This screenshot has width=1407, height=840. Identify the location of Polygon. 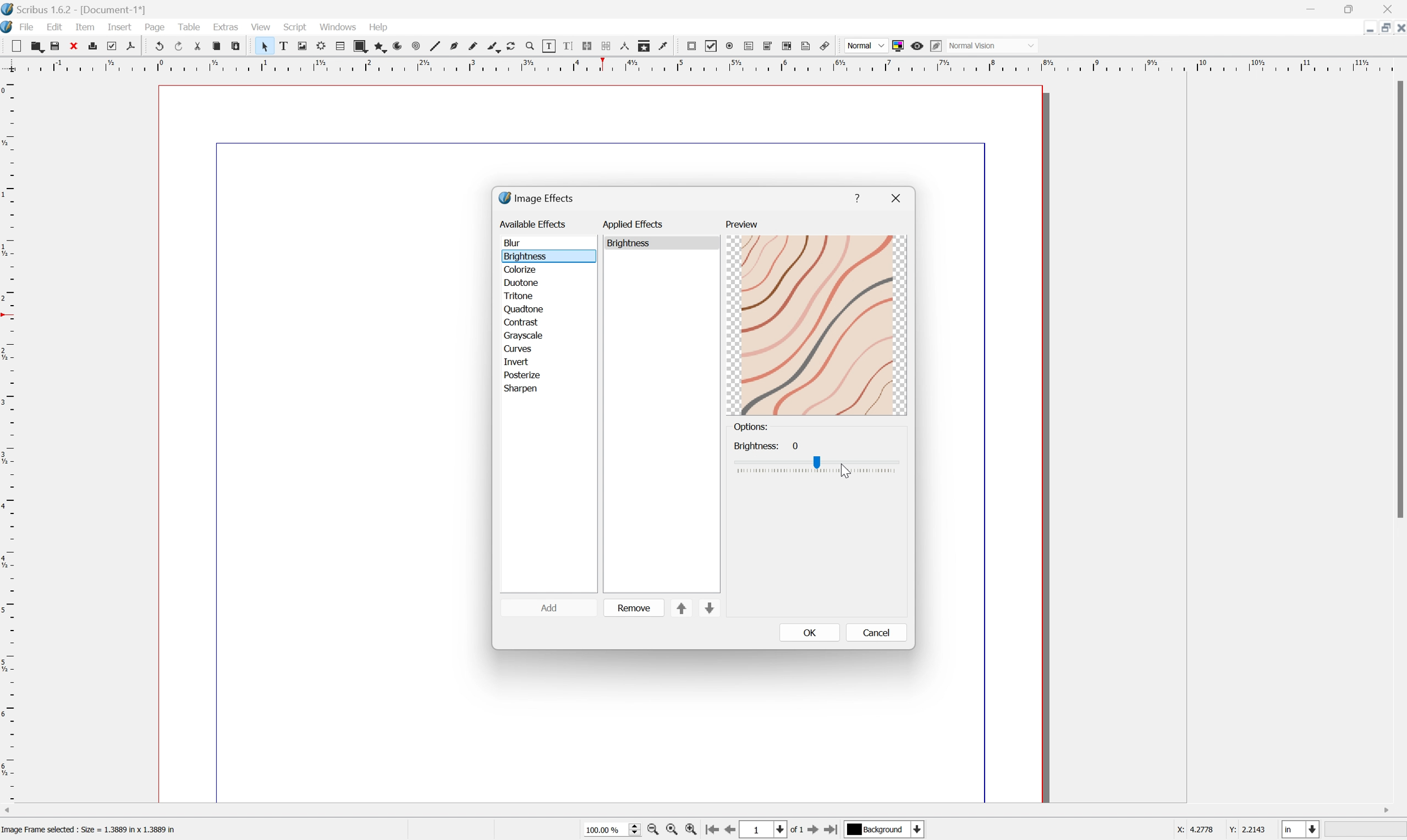
(381, 45).